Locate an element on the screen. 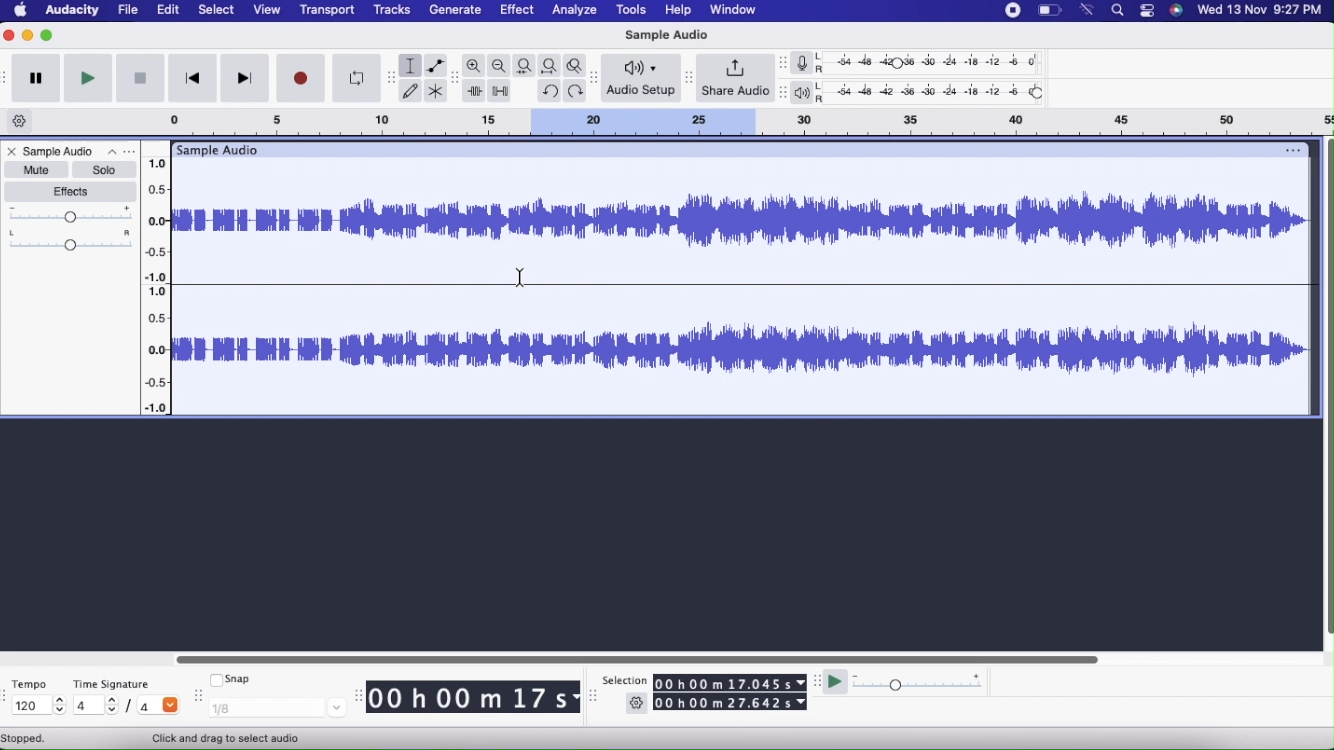 This screenshot has height=750, width=1334. Envelope Tool is located at coordinates (436, 66).